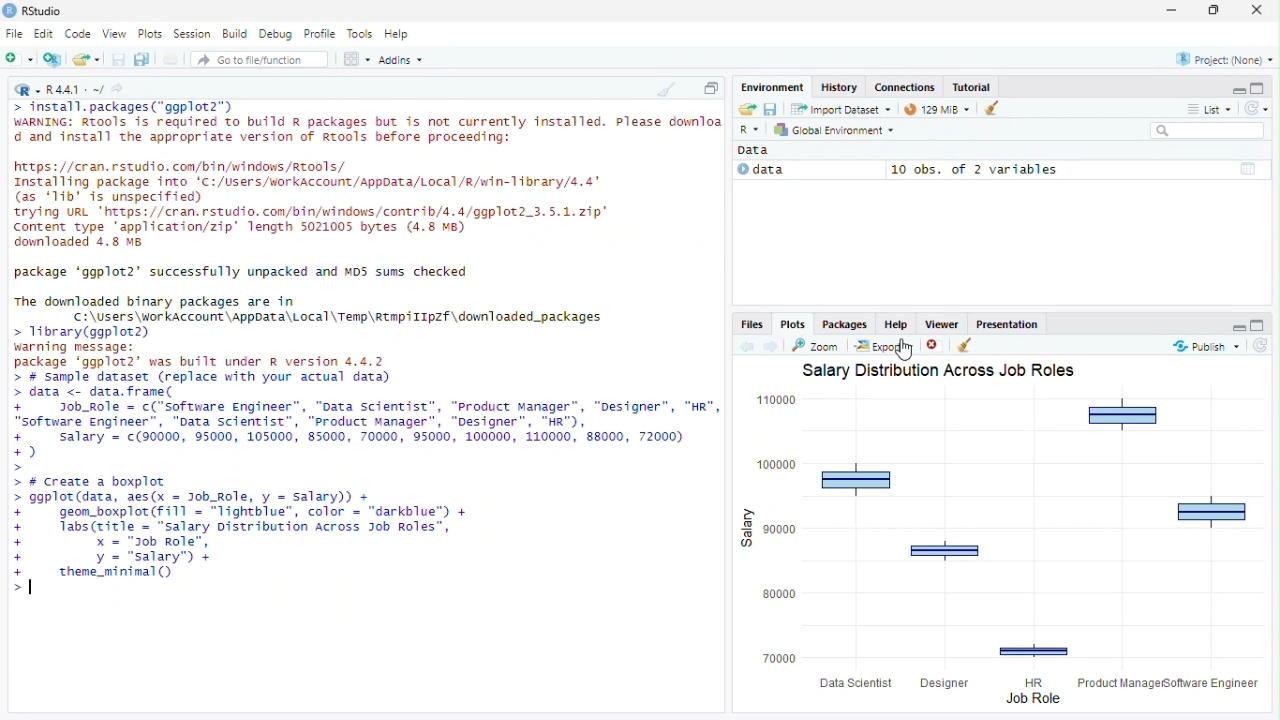 Image resolution: width=1280 pixels, height=720 pixels. Describe the element at coordinates (969, 345) in the screenshot. I see `Clear all plots` at that location.